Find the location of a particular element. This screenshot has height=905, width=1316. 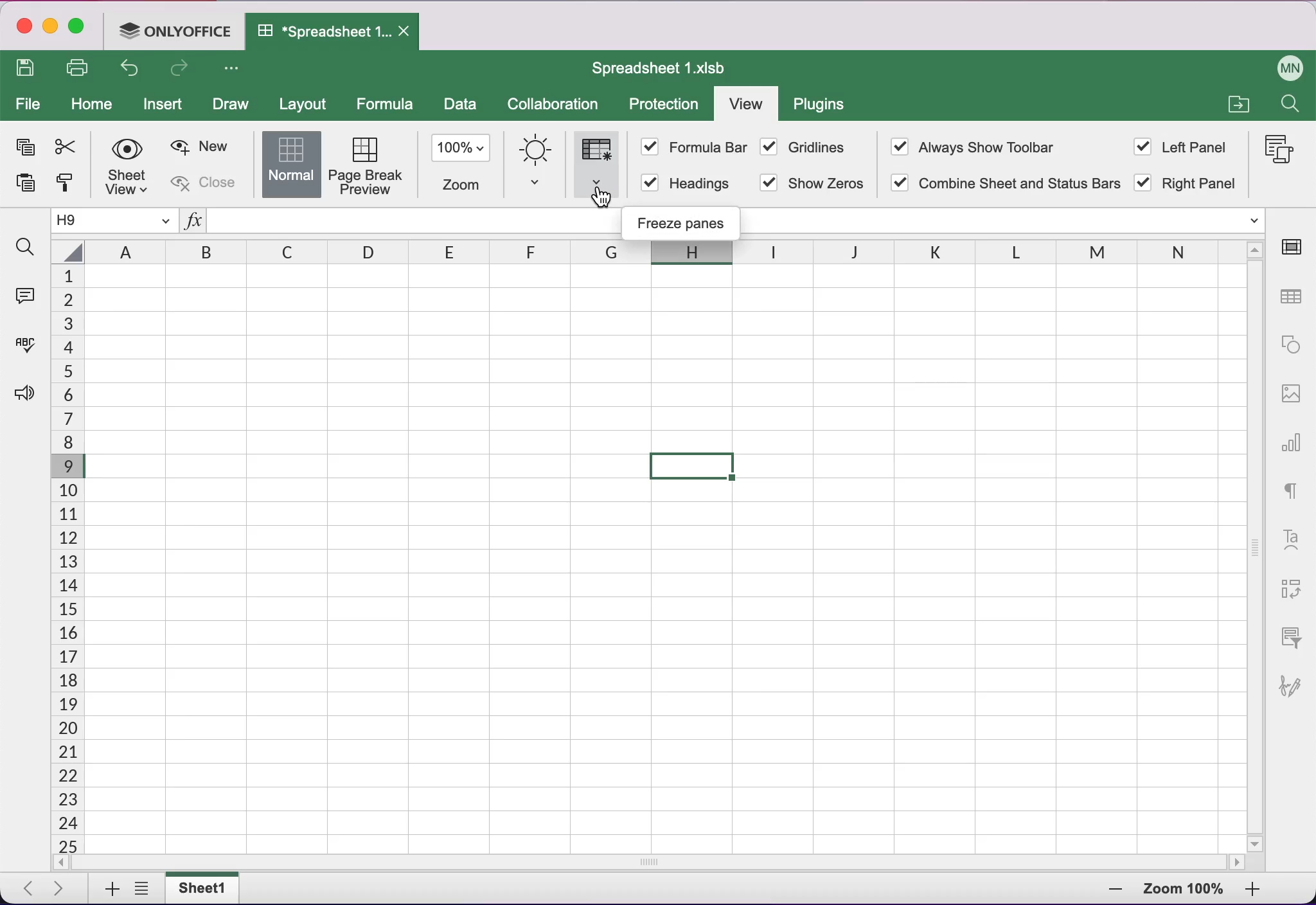

cut is located at coordinates (69, 147).